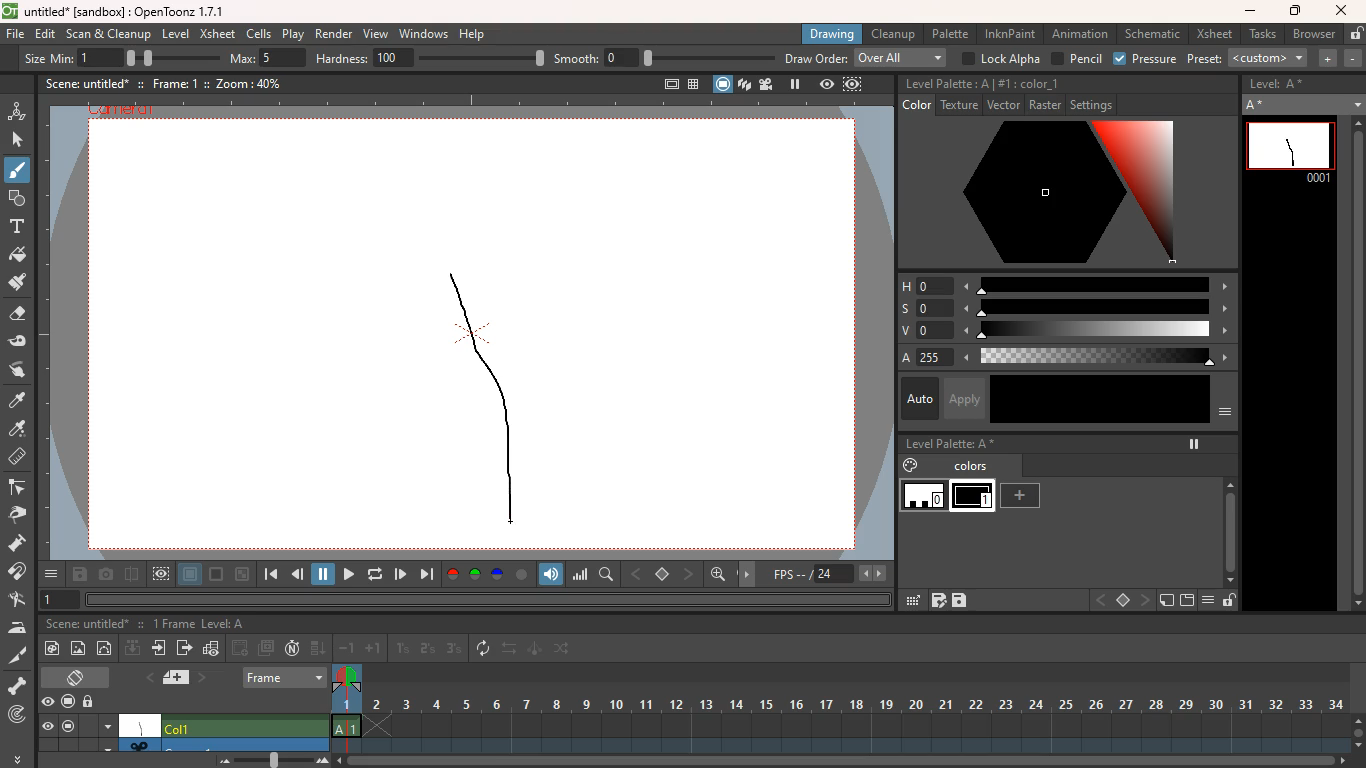  Describe the element at coordinates (165, 57) in the screenshot. I see `size` at that location.